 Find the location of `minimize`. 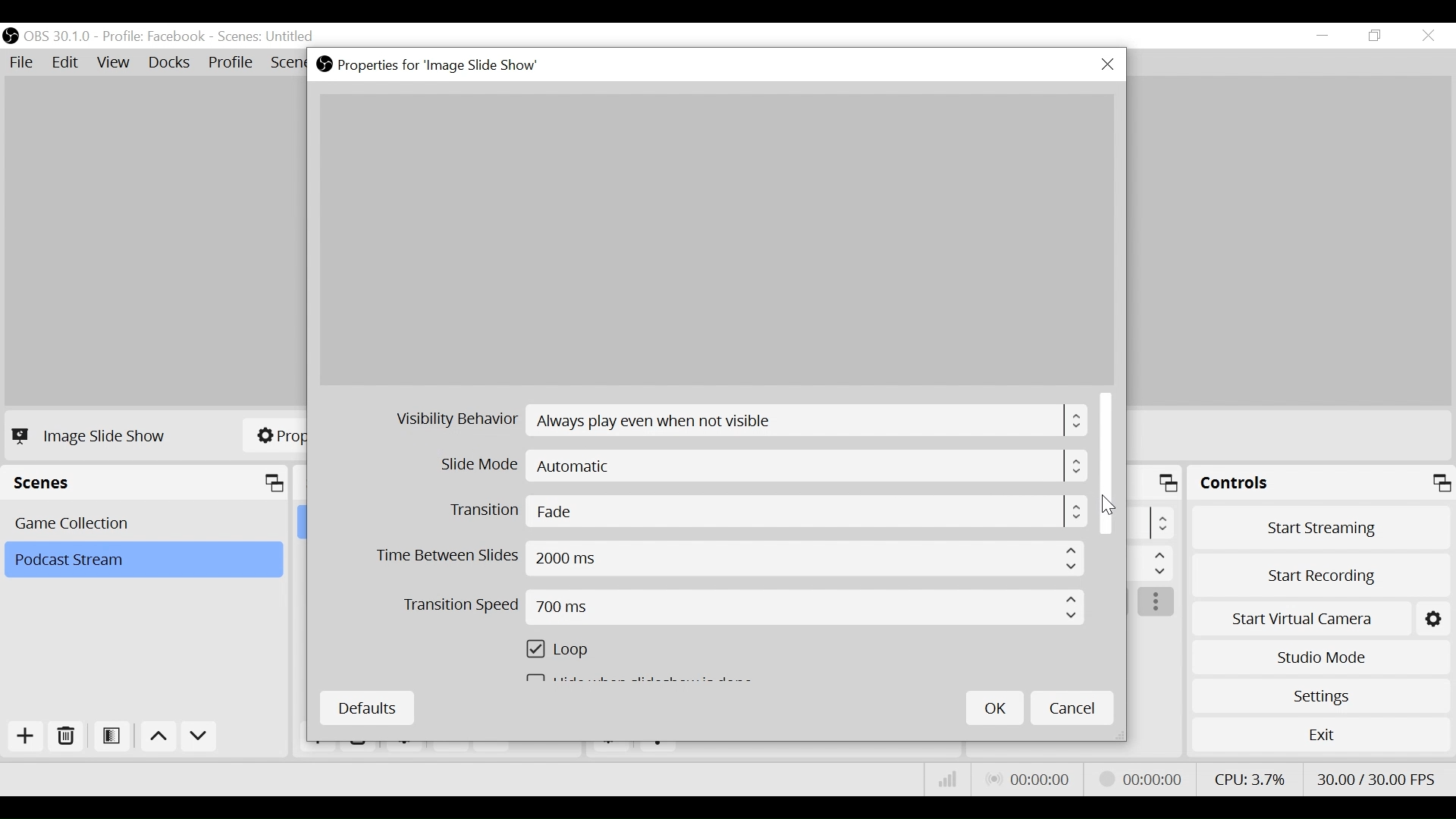

minimize is located at coordinates (1326, 36).